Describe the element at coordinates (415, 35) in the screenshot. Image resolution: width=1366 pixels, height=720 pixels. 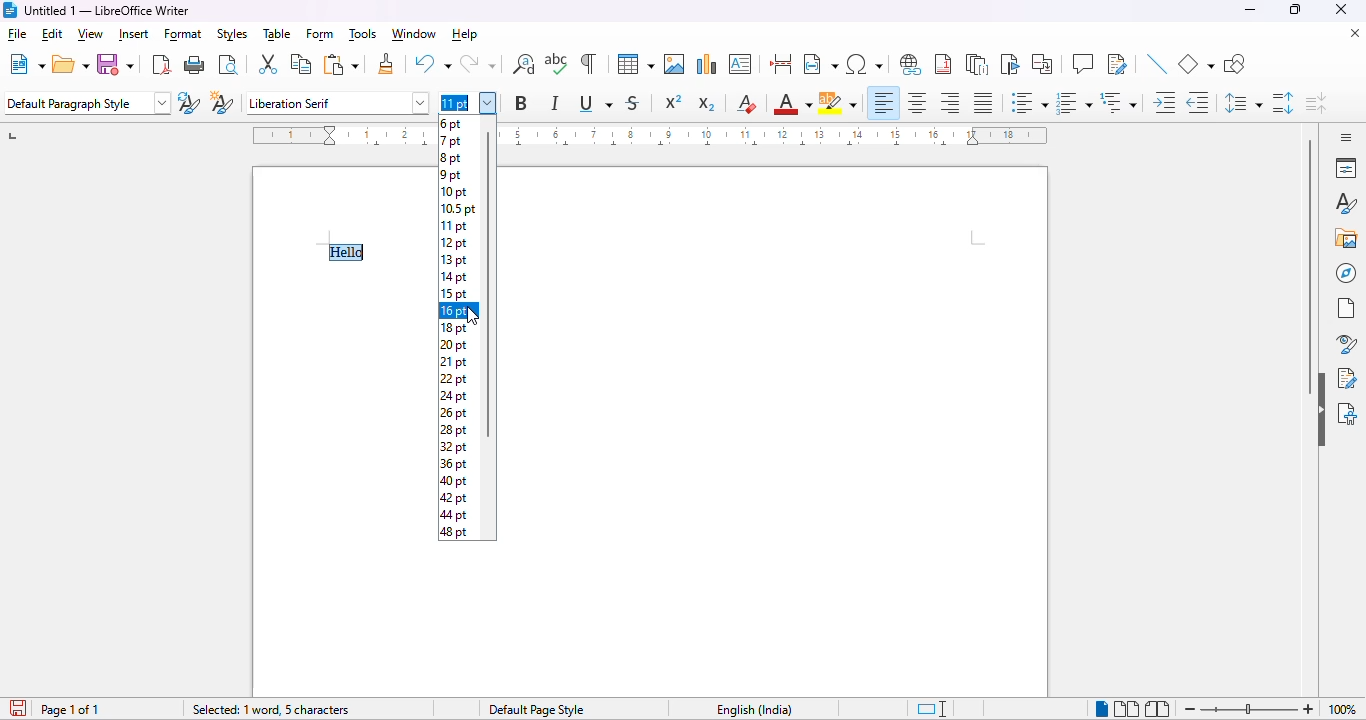
I see `window` at that location.